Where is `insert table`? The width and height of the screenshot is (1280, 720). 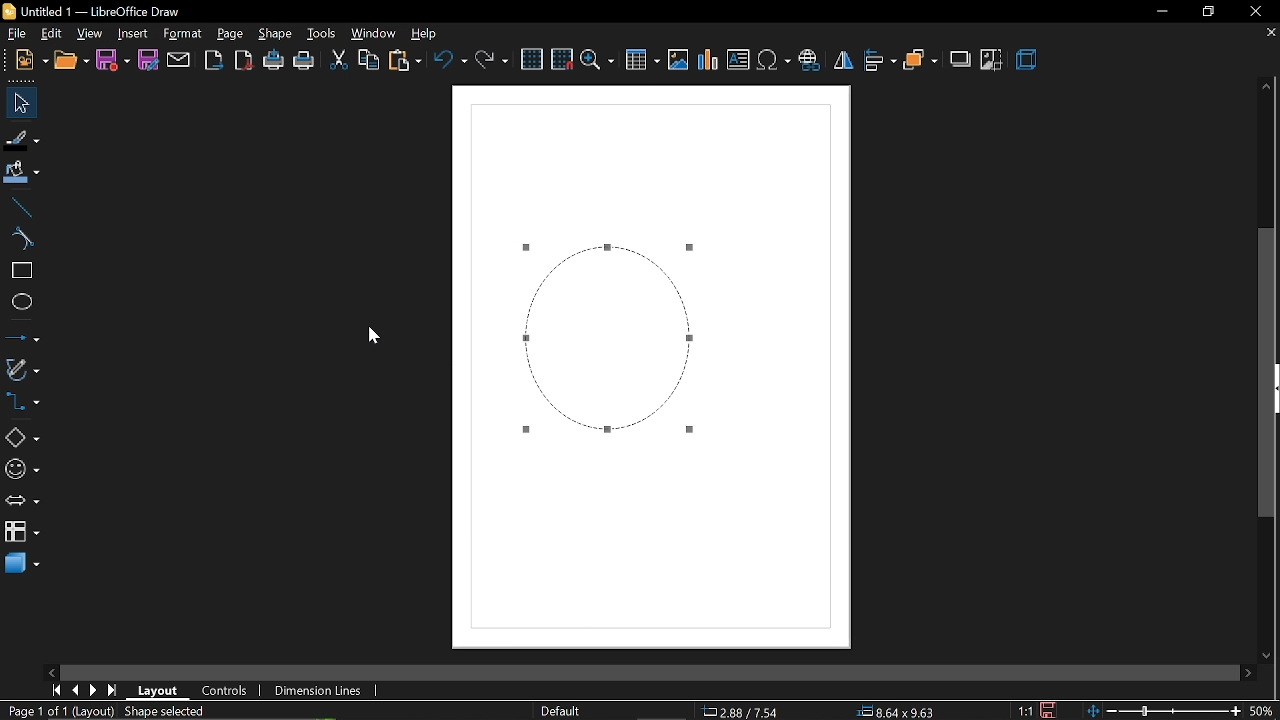
insert table is located at coordinates (642, 60).